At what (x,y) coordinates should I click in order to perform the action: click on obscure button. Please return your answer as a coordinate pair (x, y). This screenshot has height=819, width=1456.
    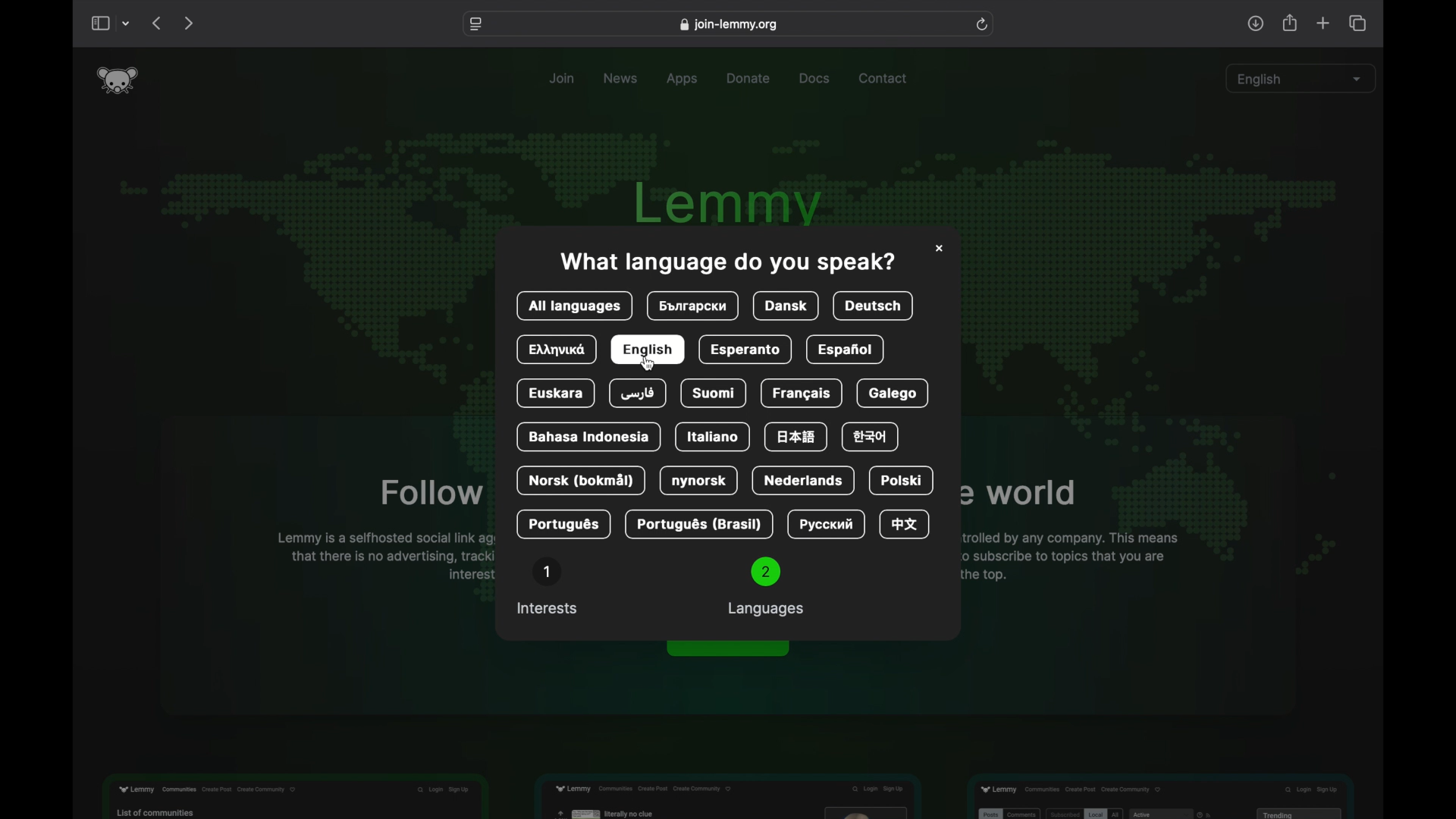
    Looking at the image, I should click on (730, 649).